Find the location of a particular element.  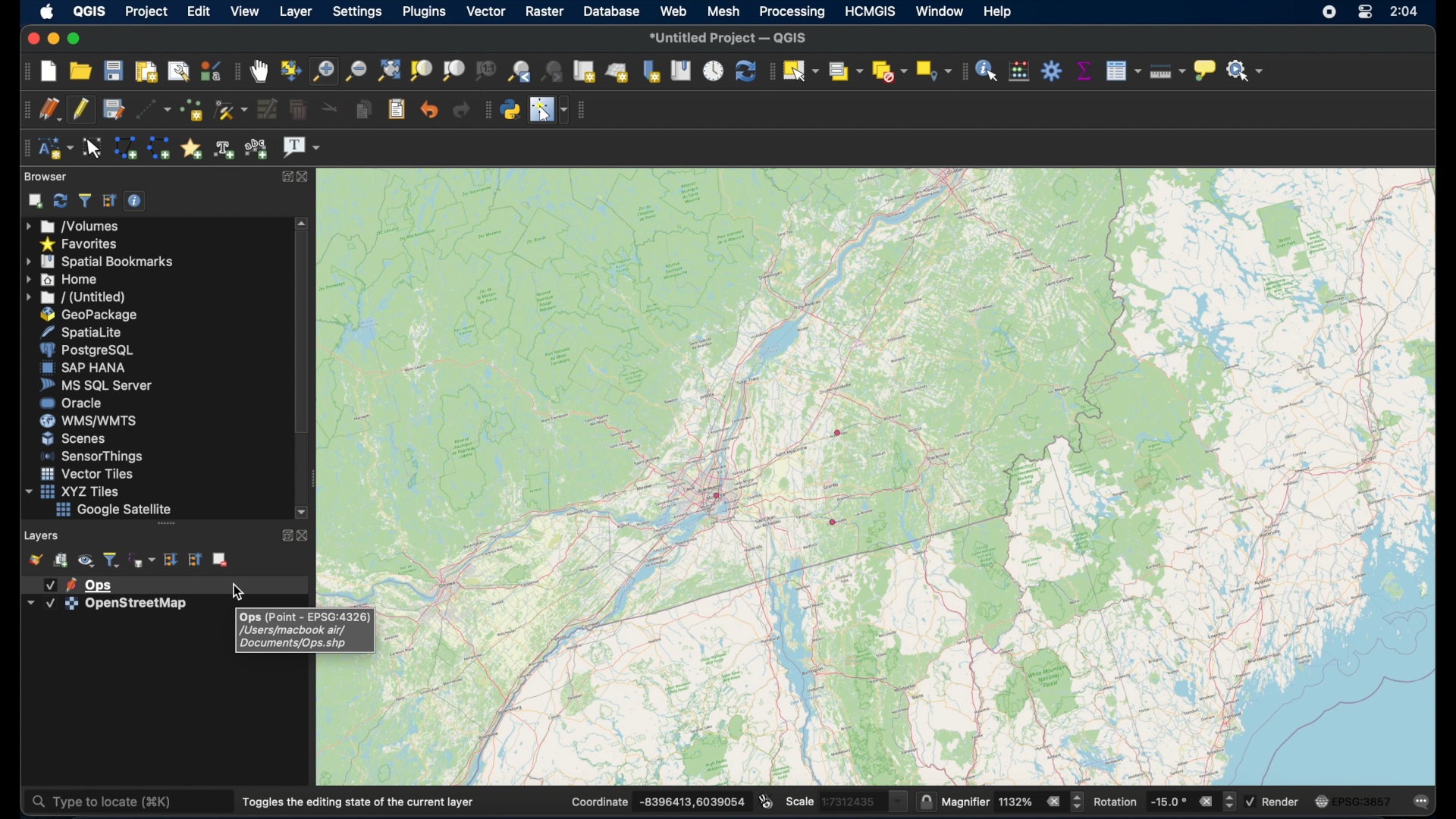

new project is located at coordinates (49, 72).